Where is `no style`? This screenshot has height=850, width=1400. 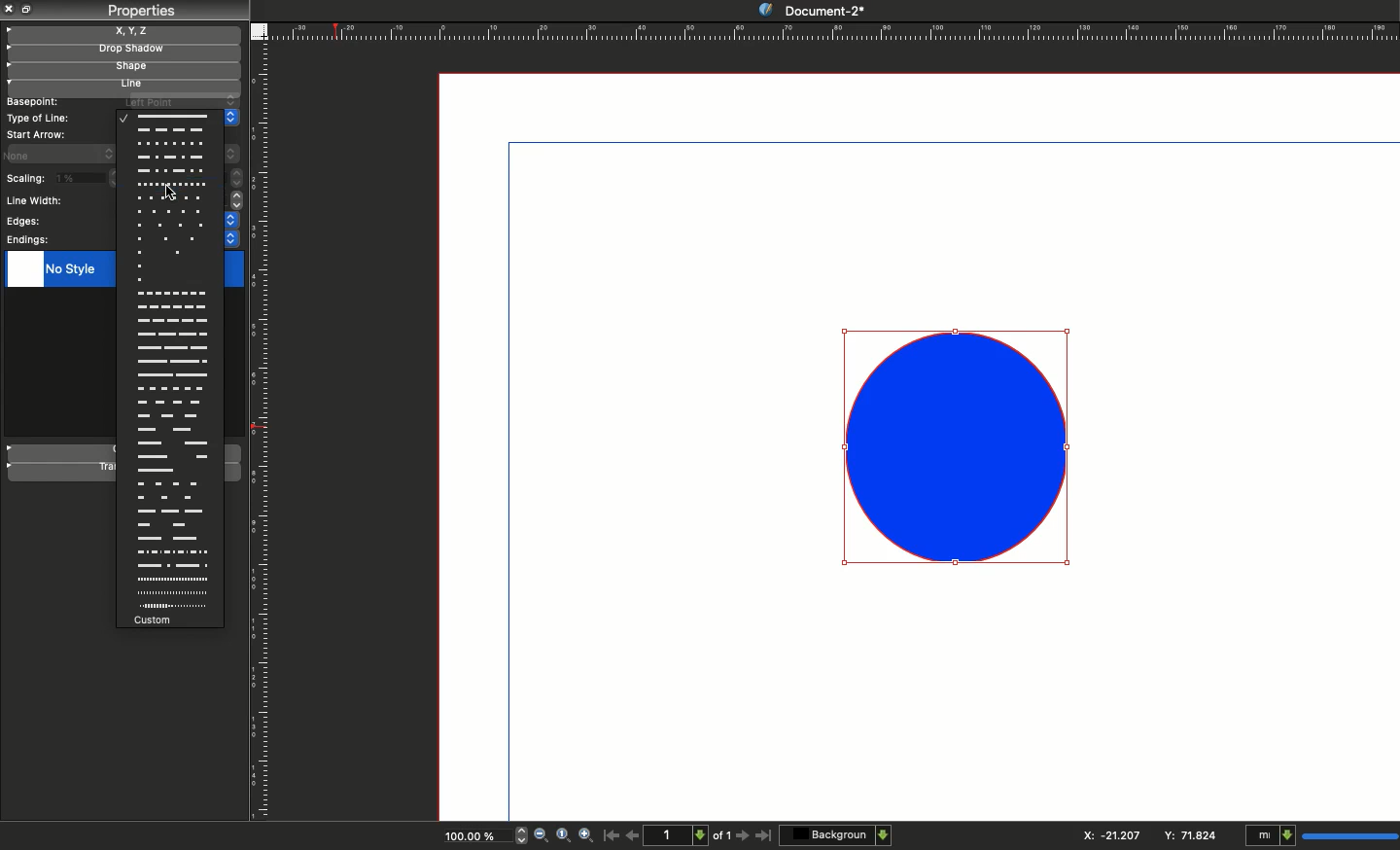
no style is located at coordinates (71, 271).